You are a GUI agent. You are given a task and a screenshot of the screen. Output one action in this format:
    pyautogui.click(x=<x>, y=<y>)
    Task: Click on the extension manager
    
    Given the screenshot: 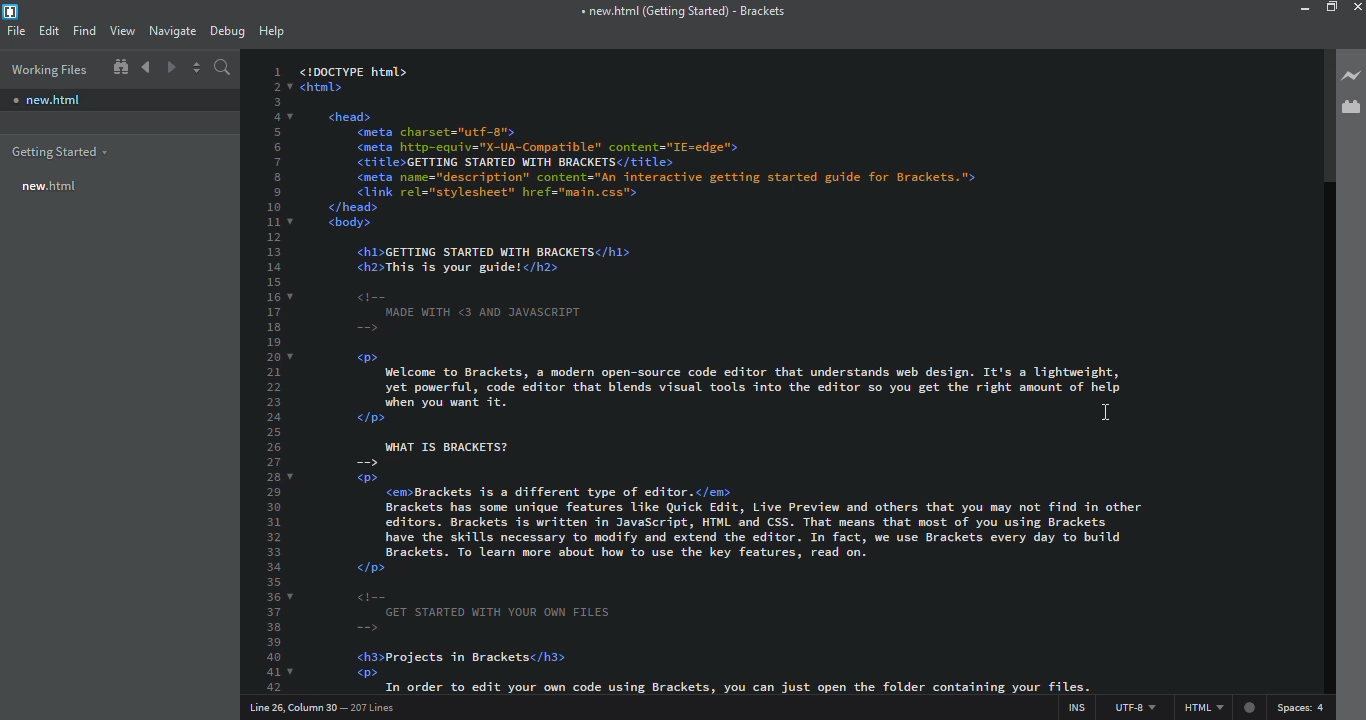 What is the action you would take?
    pyautogui.click(x=1350, y=106)
    